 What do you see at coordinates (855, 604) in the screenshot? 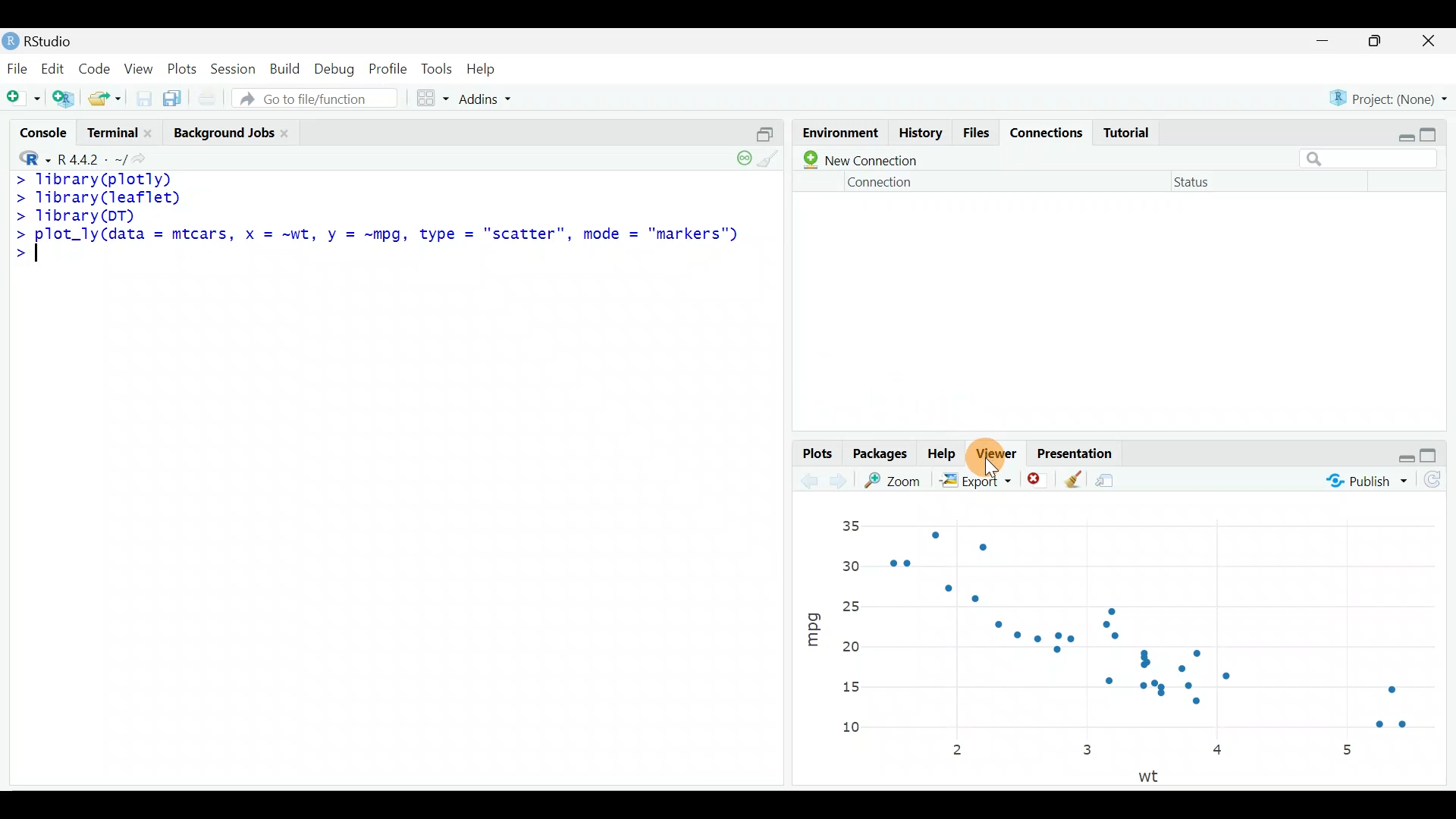
I see `25` at bounding box center [855, 604].